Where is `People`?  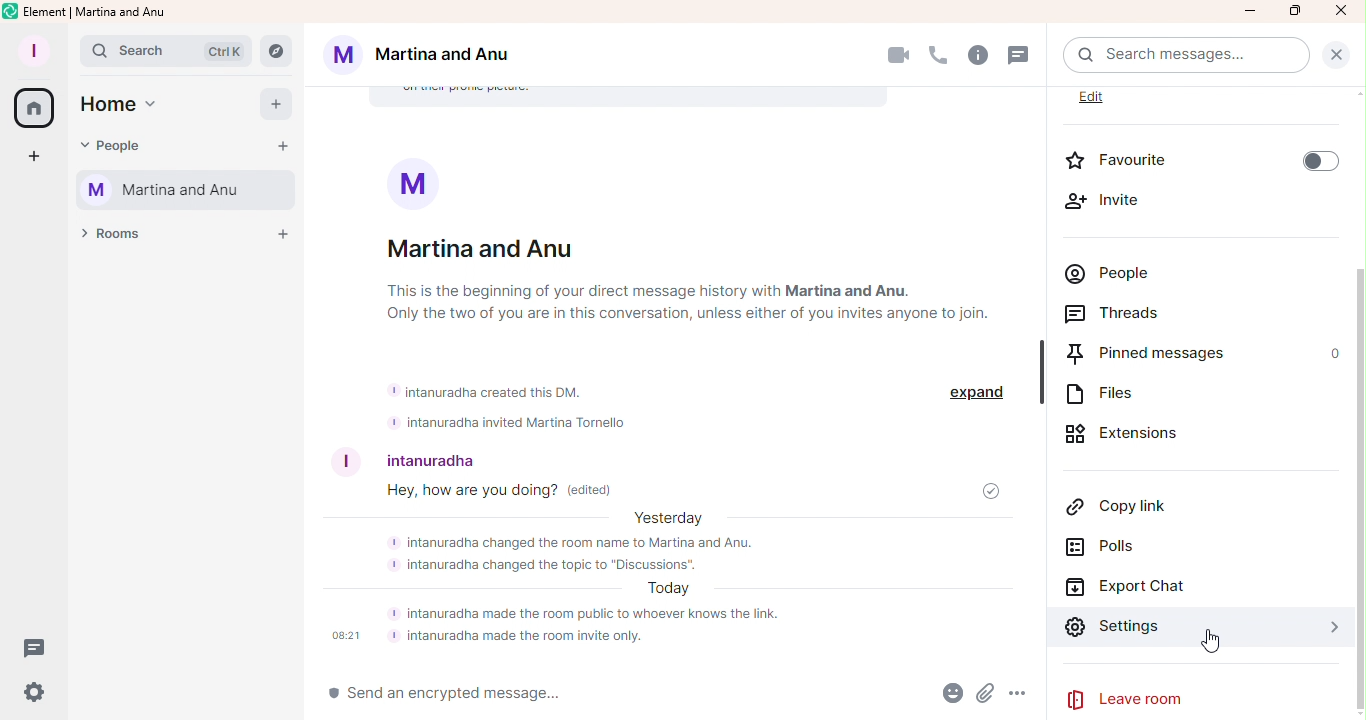 People is located at coordinates (1112, 271).